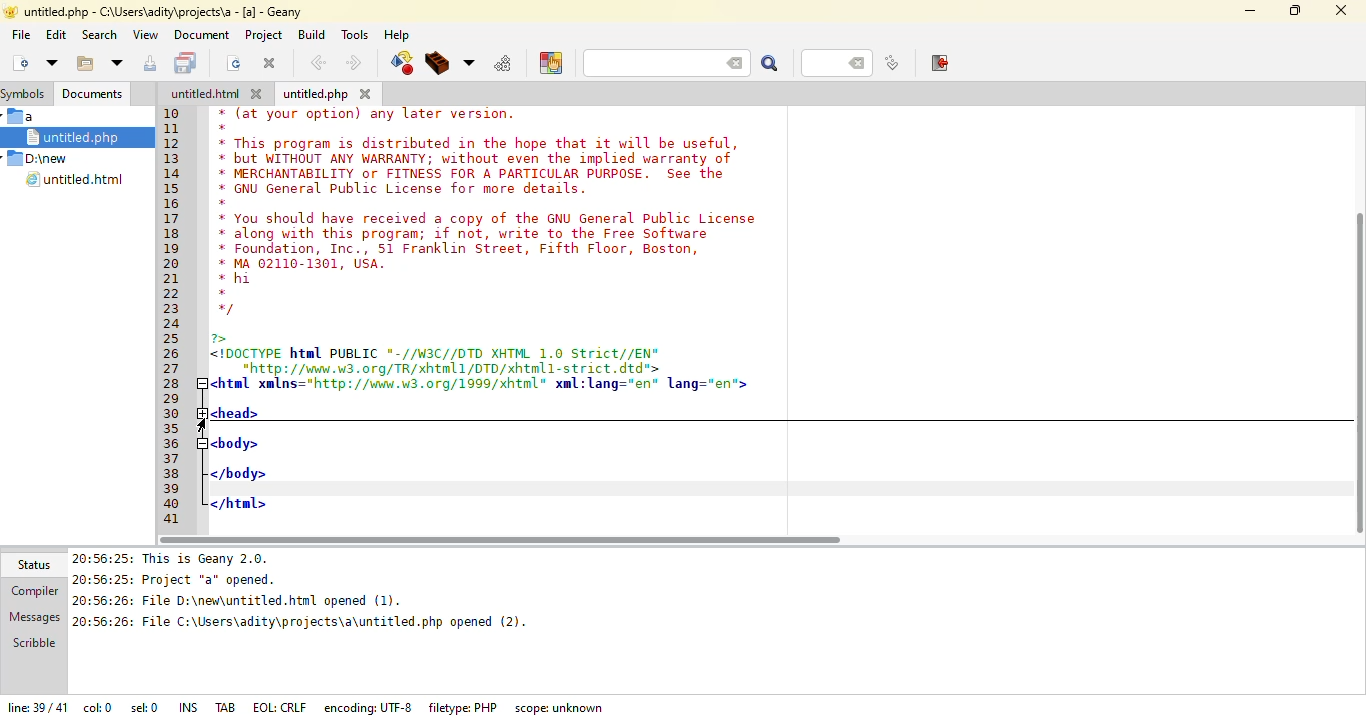  What do you see at coordinates (503, 312) in the screenshot?
I see `* (at your option) any later version.* This program is distributed in the hope that it will be useful,* but WITHOUT ANY WARRANTY; without even the implied warranty of* MERCHANTABILITY or FITNESS FOR A PARTICULAR PURPOSE. See the* GNU General Public License for more details.* You should have received a copy of the GNU General Public License* along with this program; if not, write to the Free Software* Foundation, Inc., 51 Franklin Street, Fifth Floor, Boston,* MA 02110-1301, USA.* hi*1DOCTYPE html PUBLIC *-//W3C//DTD XHTML 1.0 Strict//EN"*http://waw.w3.org/TR/xhtml1/DTD/xhtnl1-s trict. dtd">html xmlns="http://unnv.u3.0rg/1999/xhtnl" xal:lang="en" lang="en">headbody>/body>/html>` at bounding box center [503, 312].